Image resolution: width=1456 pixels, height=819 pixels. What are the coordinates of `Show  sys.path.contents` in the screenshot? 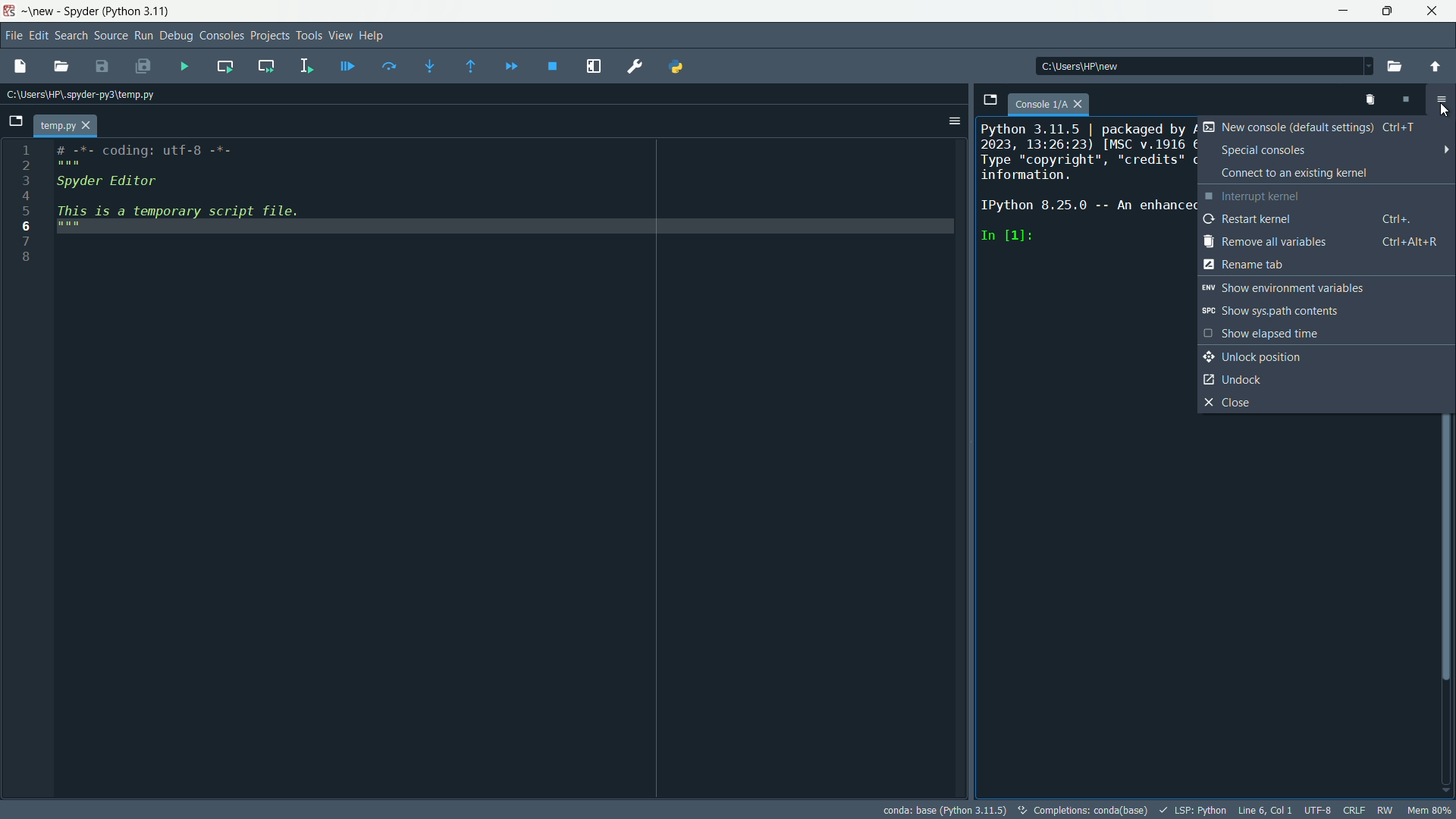 It's located at (1304, 311).